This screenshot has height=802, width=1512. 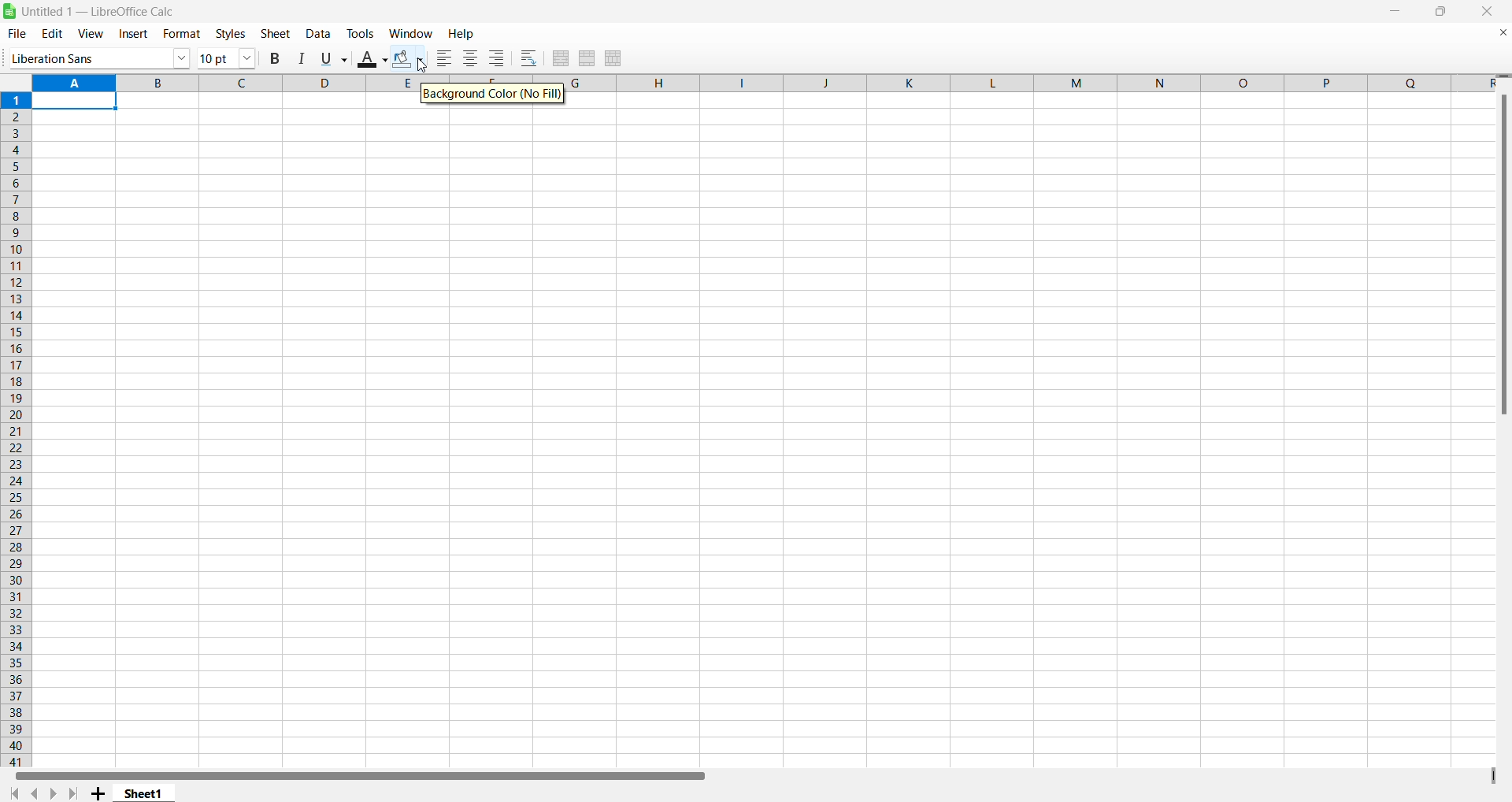 I want to click on last, so click(x=77, y=791).